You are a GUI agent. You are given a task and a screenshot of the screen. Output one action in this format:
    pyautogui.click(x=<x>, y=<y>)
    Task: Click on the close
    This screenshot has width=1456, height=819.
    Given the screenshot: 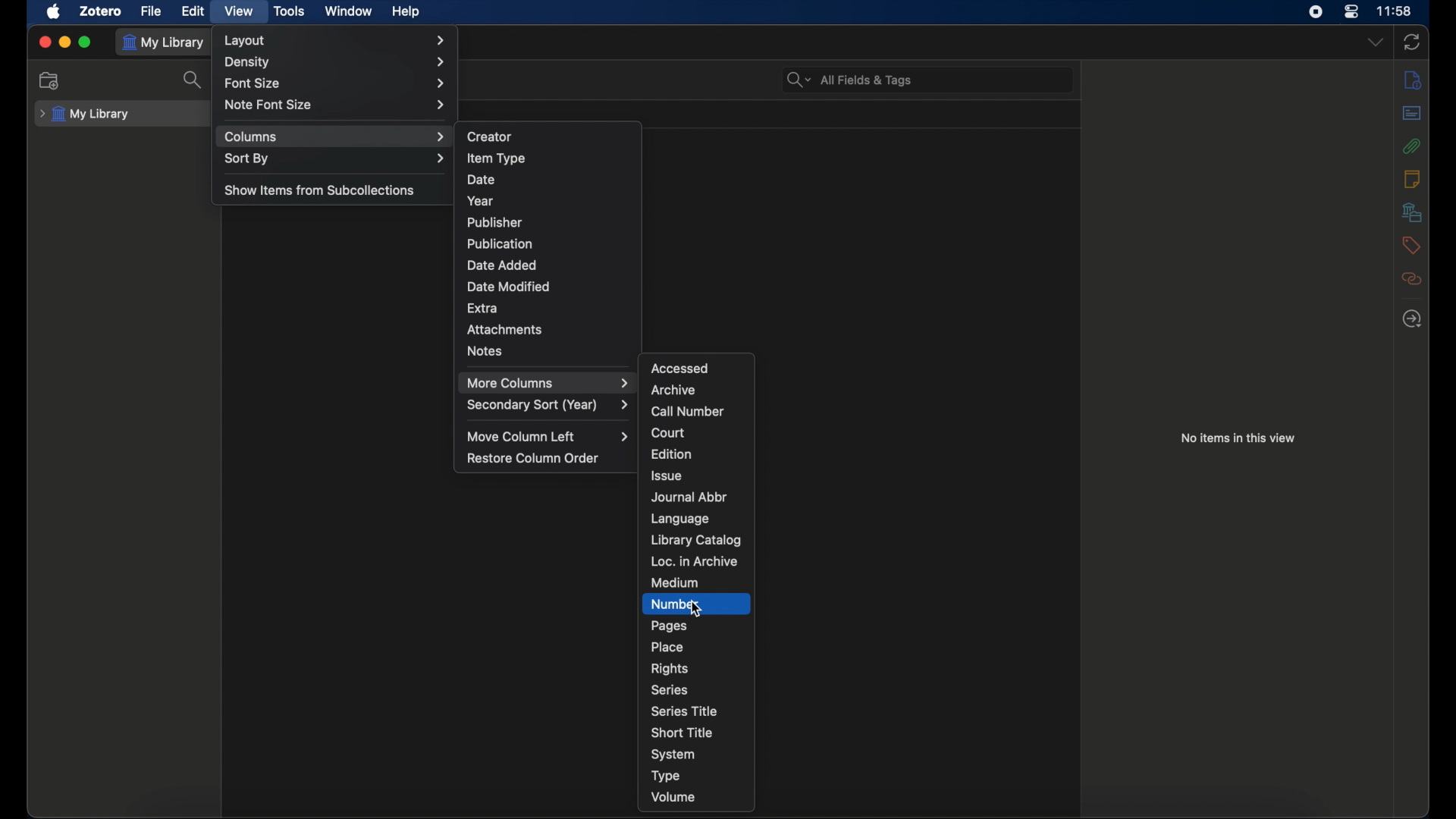 What is the action you would take?
    pyautogui.click(x=44, y=42)
    